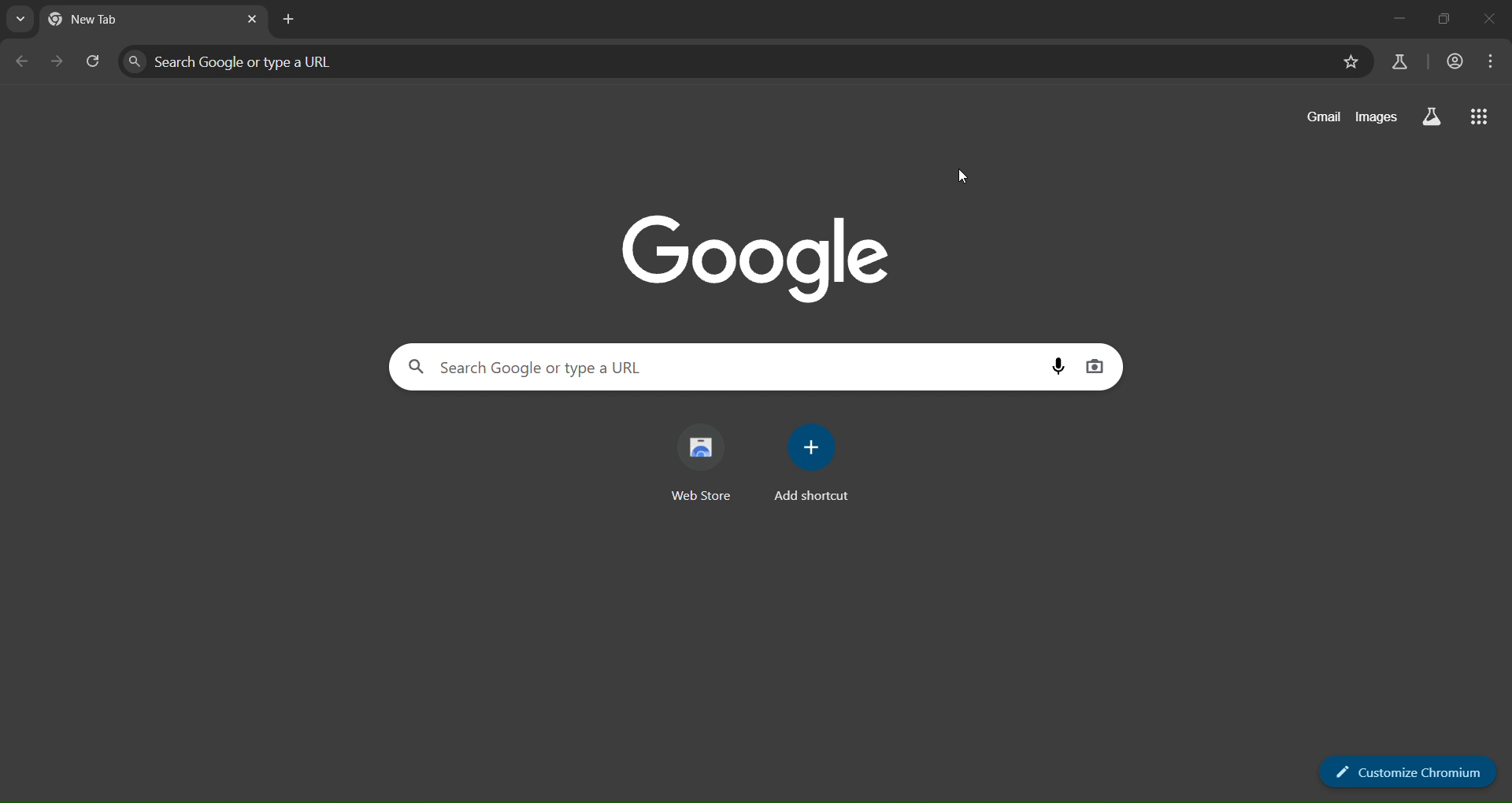 The height and width of the screenshot is (803, 1512). I want to click on go back one page, so click(22, 61).